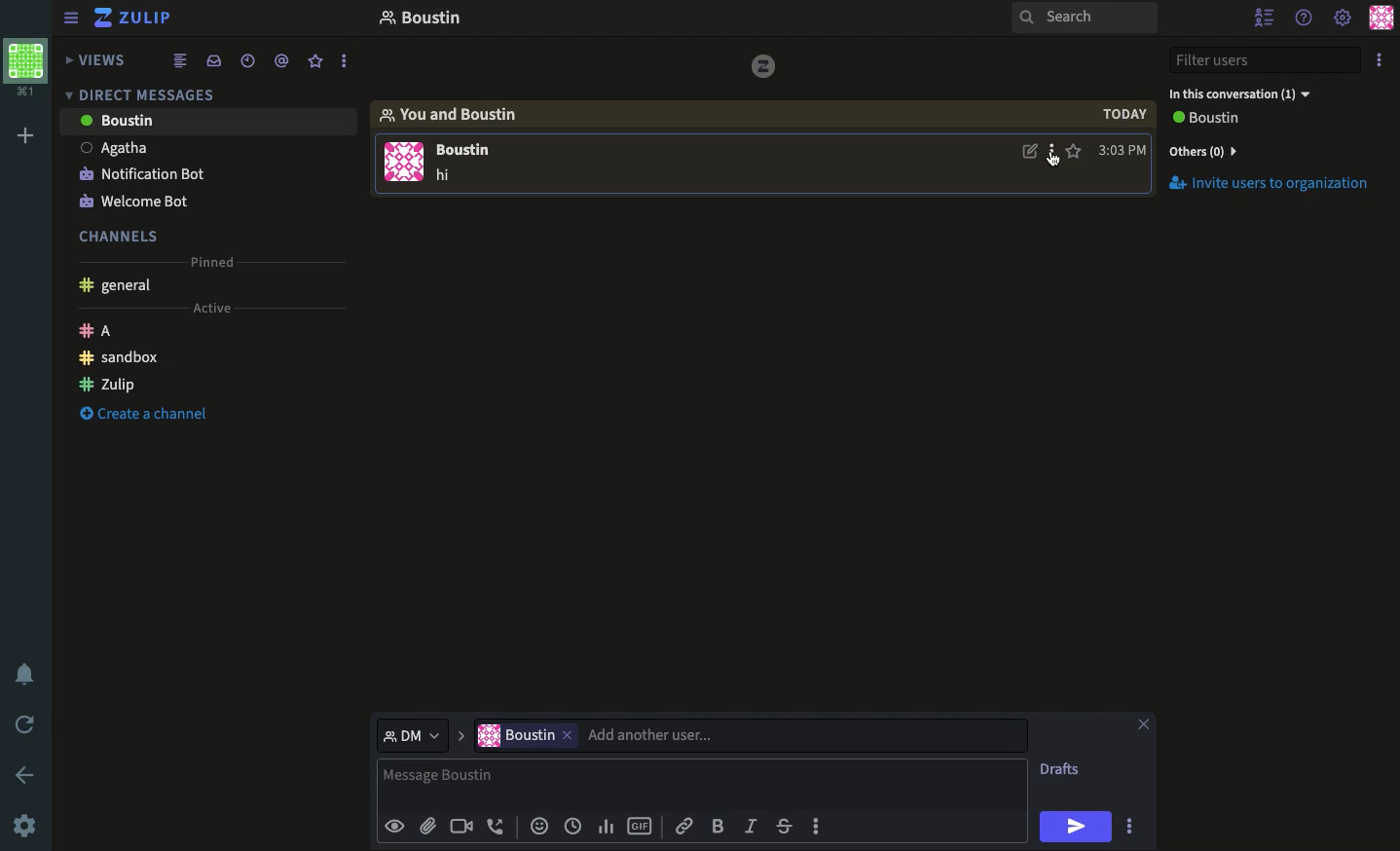 The image size is (1400, 851). What do you see at coordinates (397, 825) in the screenshot?
I see `Preview` at bounding box center [397, 825].